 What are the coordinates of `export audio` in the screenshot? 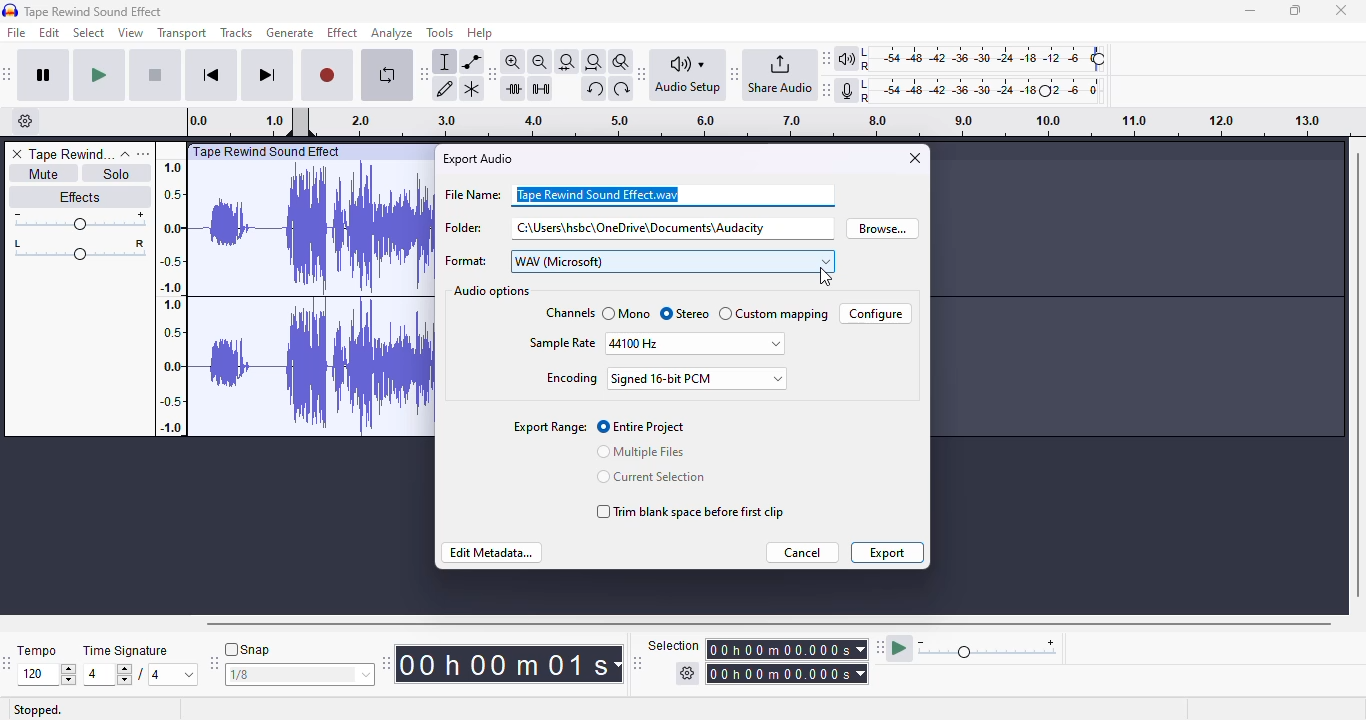 It's located at (476, 159).